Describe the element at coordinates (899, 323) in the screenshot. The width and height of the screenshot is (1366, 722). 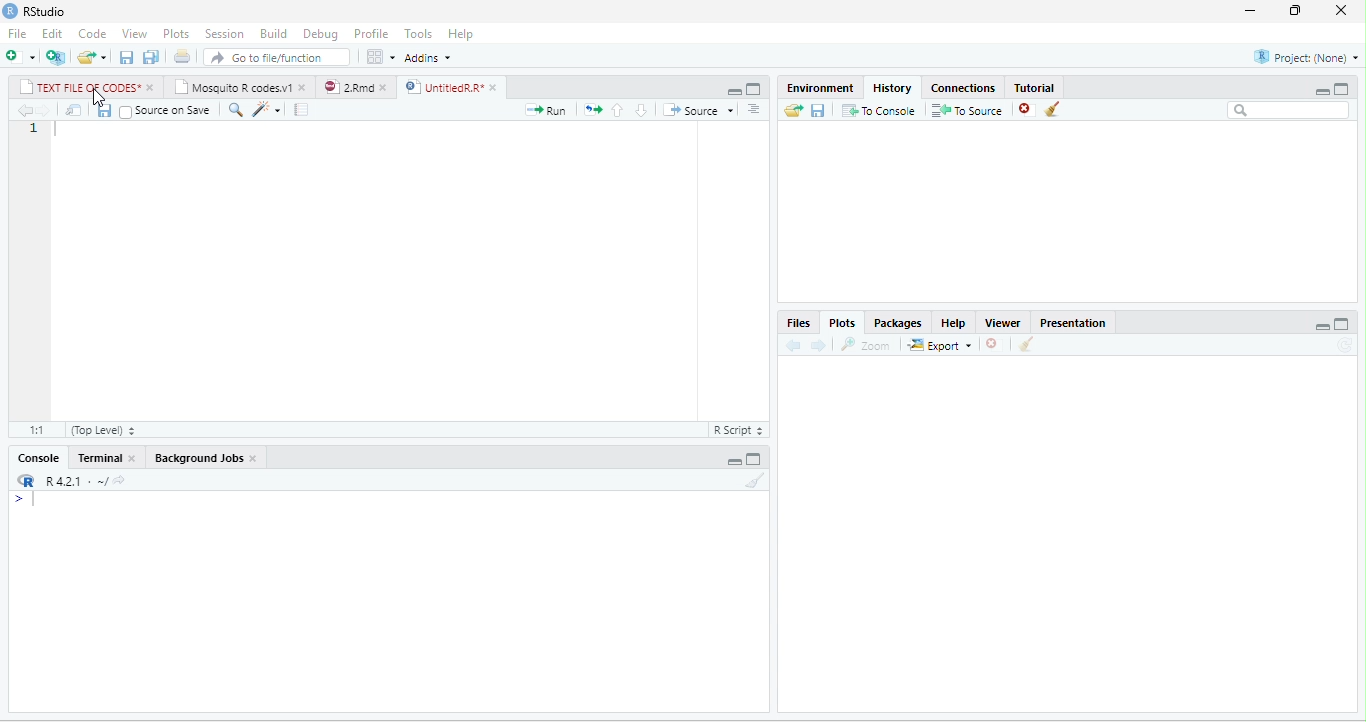
I see `Packages` at that location.